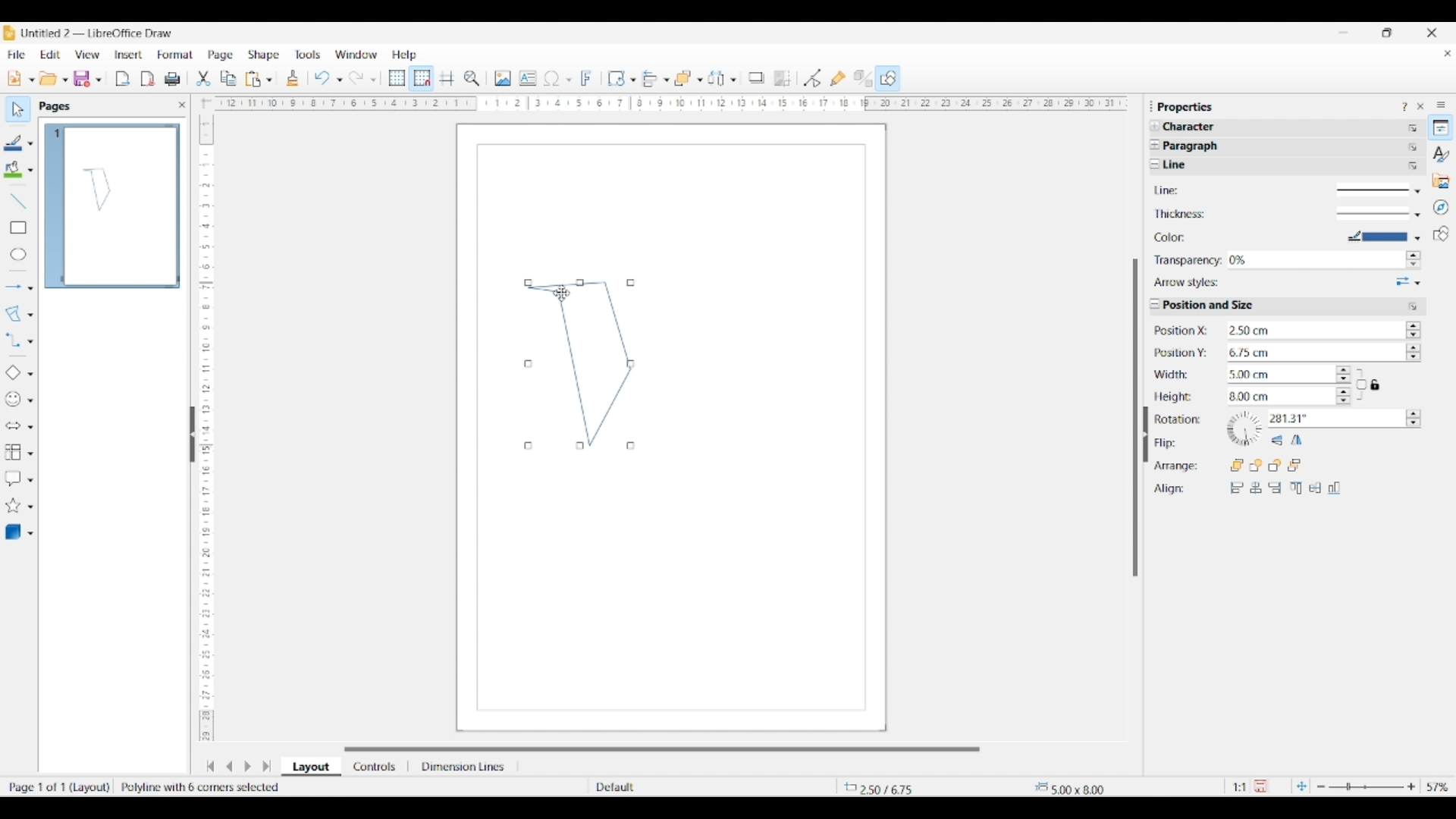 This screenshot has height=819, width=1456. What do you see at coordinates (204, 421) in the screenshot?
I see `Vertical ruler` at bounding box center [204, 421].